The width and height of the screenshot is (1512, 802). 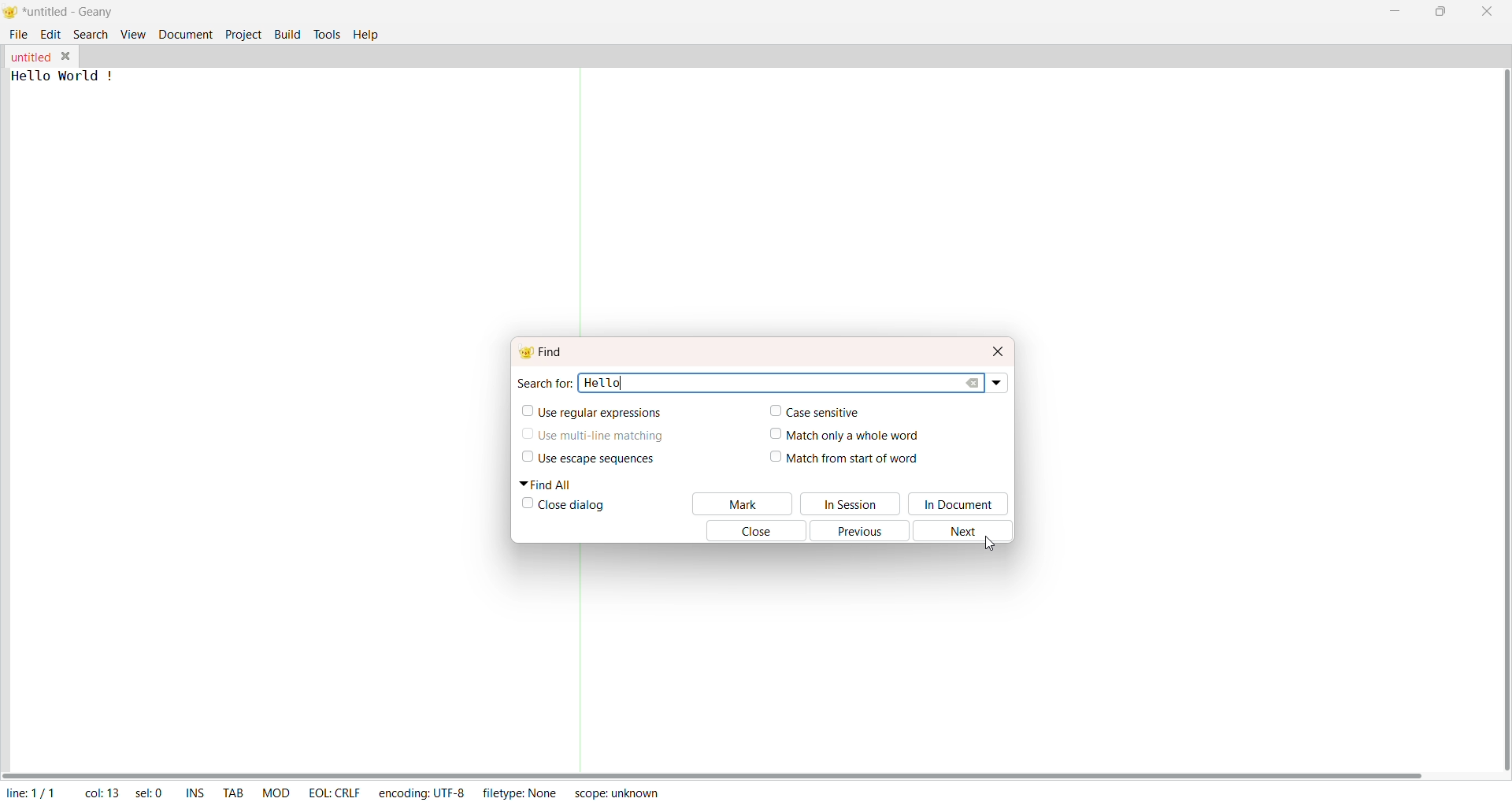 What do you see at coordinates (613, 385) in the screenshot?
I see `Hello` at bounding box center [613, 385].